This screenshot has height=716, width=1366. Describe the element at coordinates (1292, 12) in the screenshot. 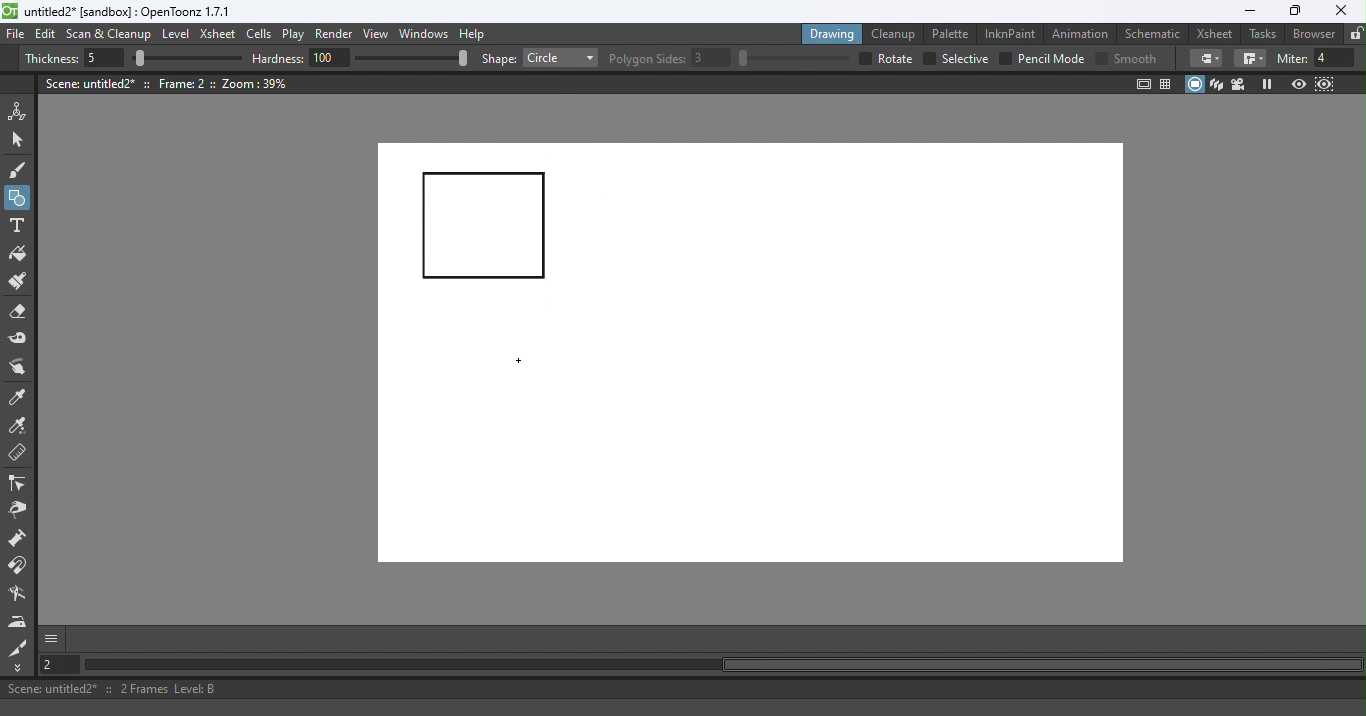

I see `Maximize` at that location.